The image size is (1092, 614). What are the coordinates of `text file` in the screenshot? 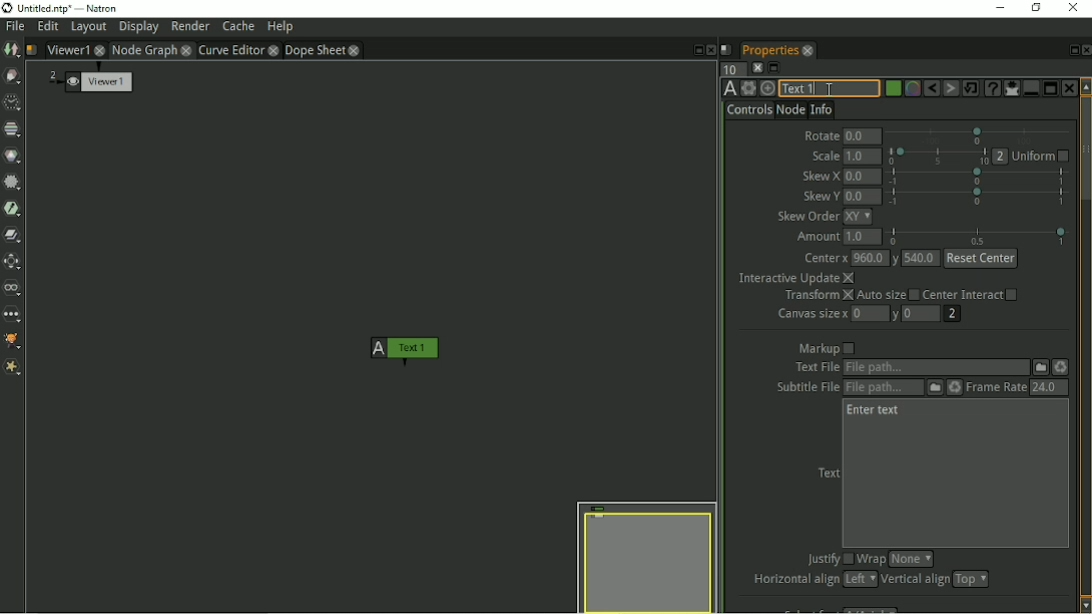 It's located at (816, 366).